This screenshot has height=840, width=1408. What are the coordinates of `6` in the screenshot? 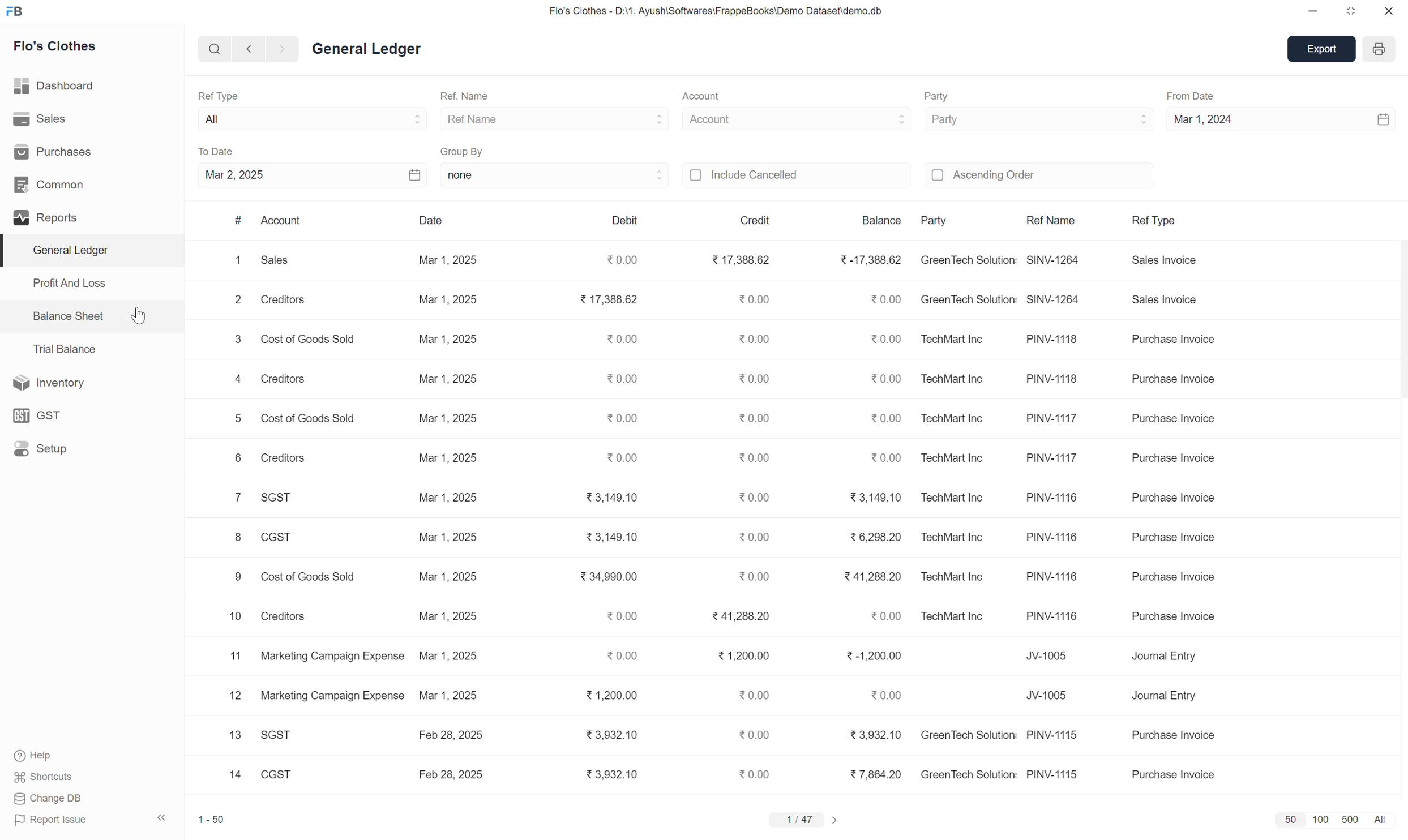 It's located at (234, 458).